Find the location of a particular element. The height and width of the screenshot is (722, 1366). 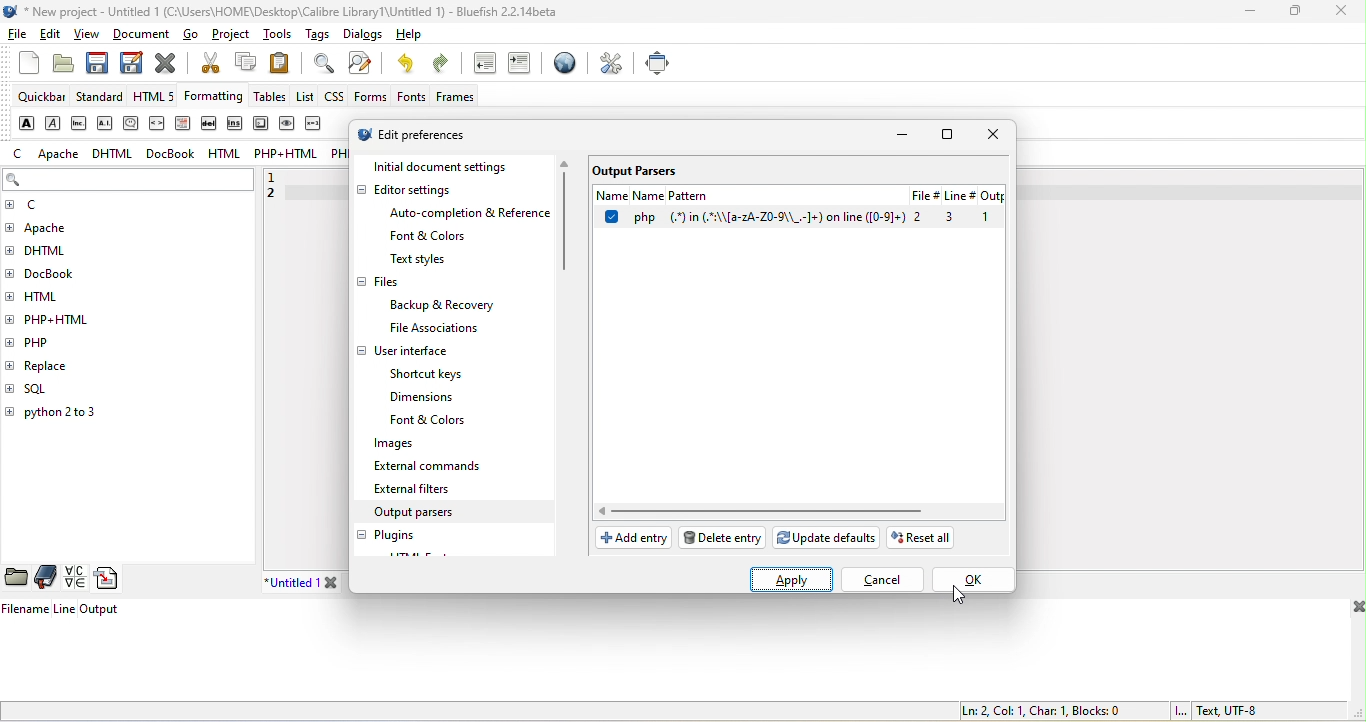

insert is located at coordinates (233, 125).